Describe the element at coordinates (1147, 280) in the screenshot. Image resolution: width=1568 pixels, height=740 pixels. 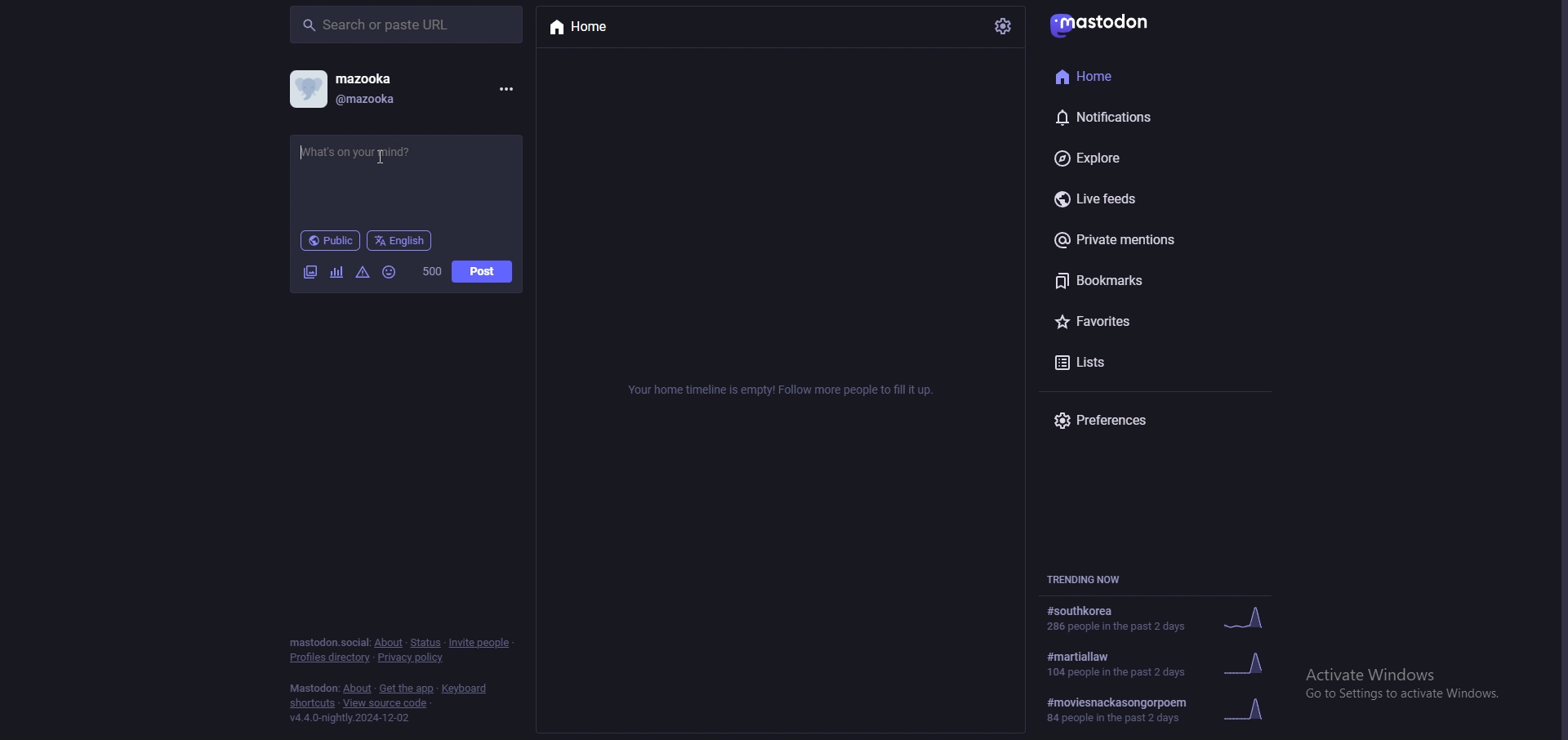
I see `bookmarks` at that location.